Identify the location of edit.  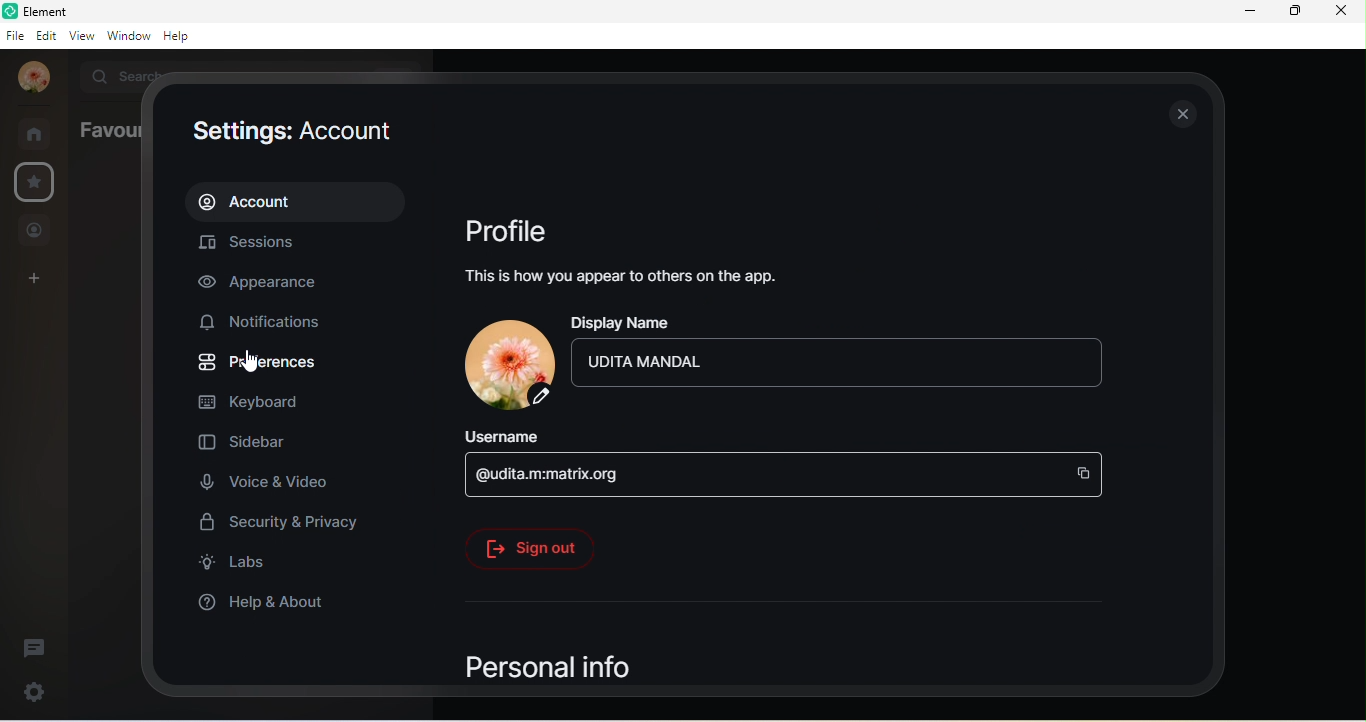
(47, 36).